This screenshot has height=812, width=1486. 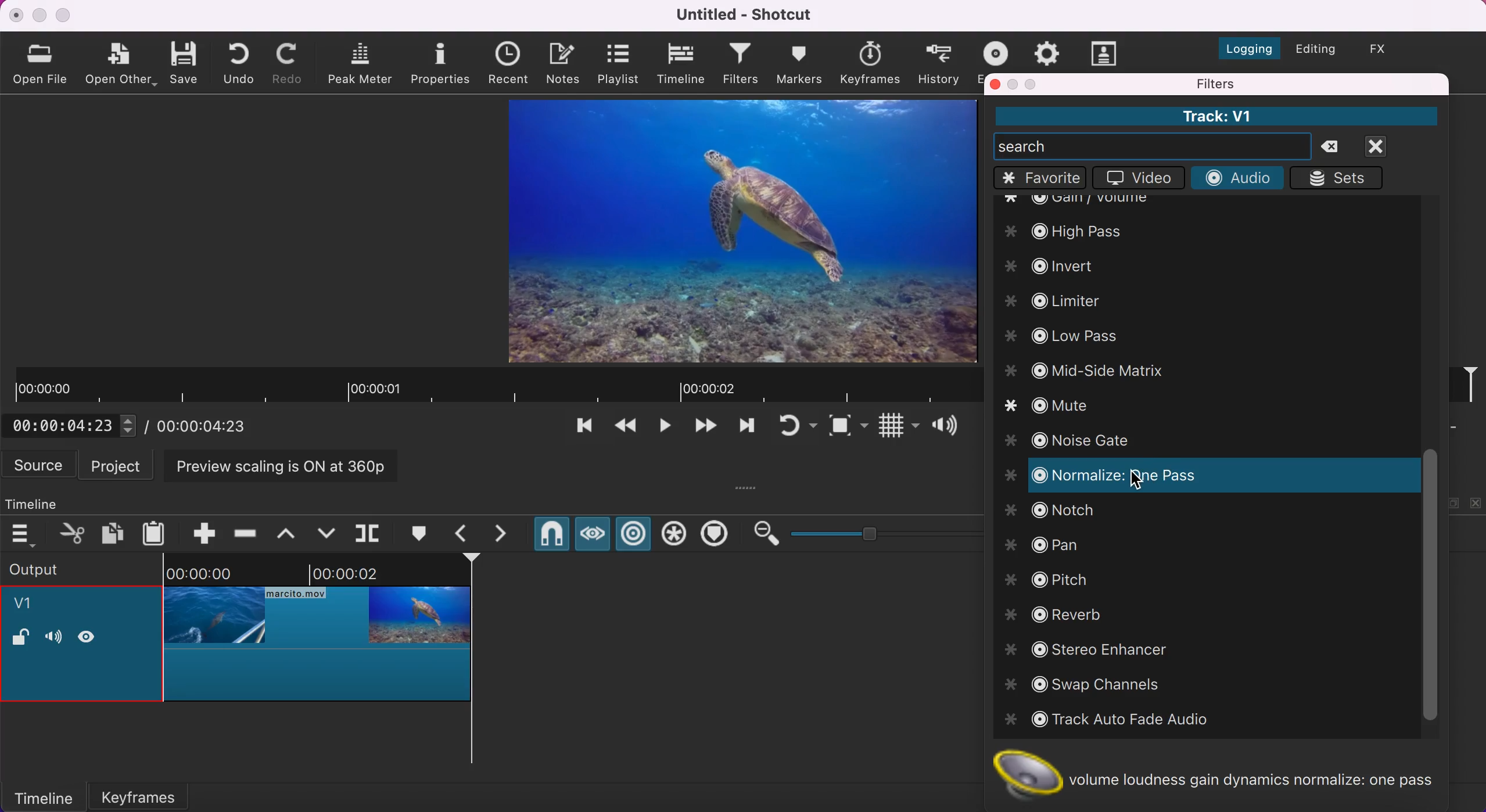 What do you see at coordinates (1047, 541) in the screenshot?
I see `pan` at bounding box center [1047, 541].